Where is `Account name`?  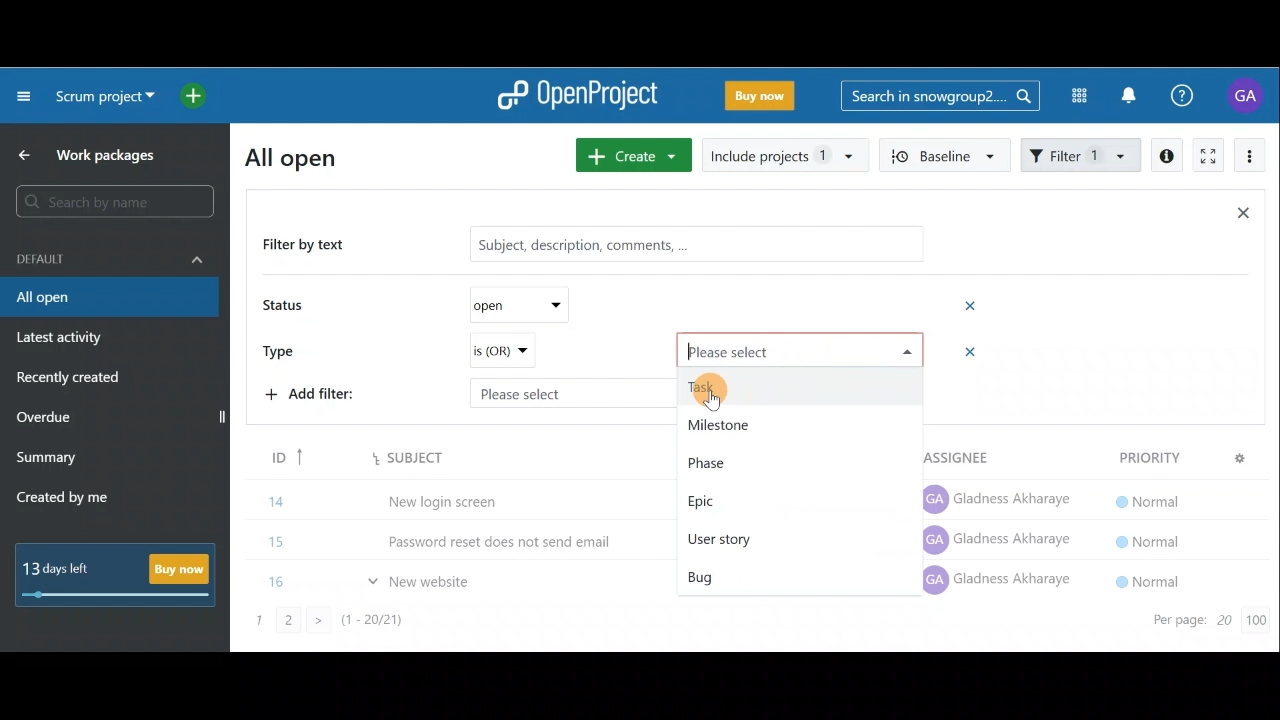
Account name is located at coordinates (1248, 95).